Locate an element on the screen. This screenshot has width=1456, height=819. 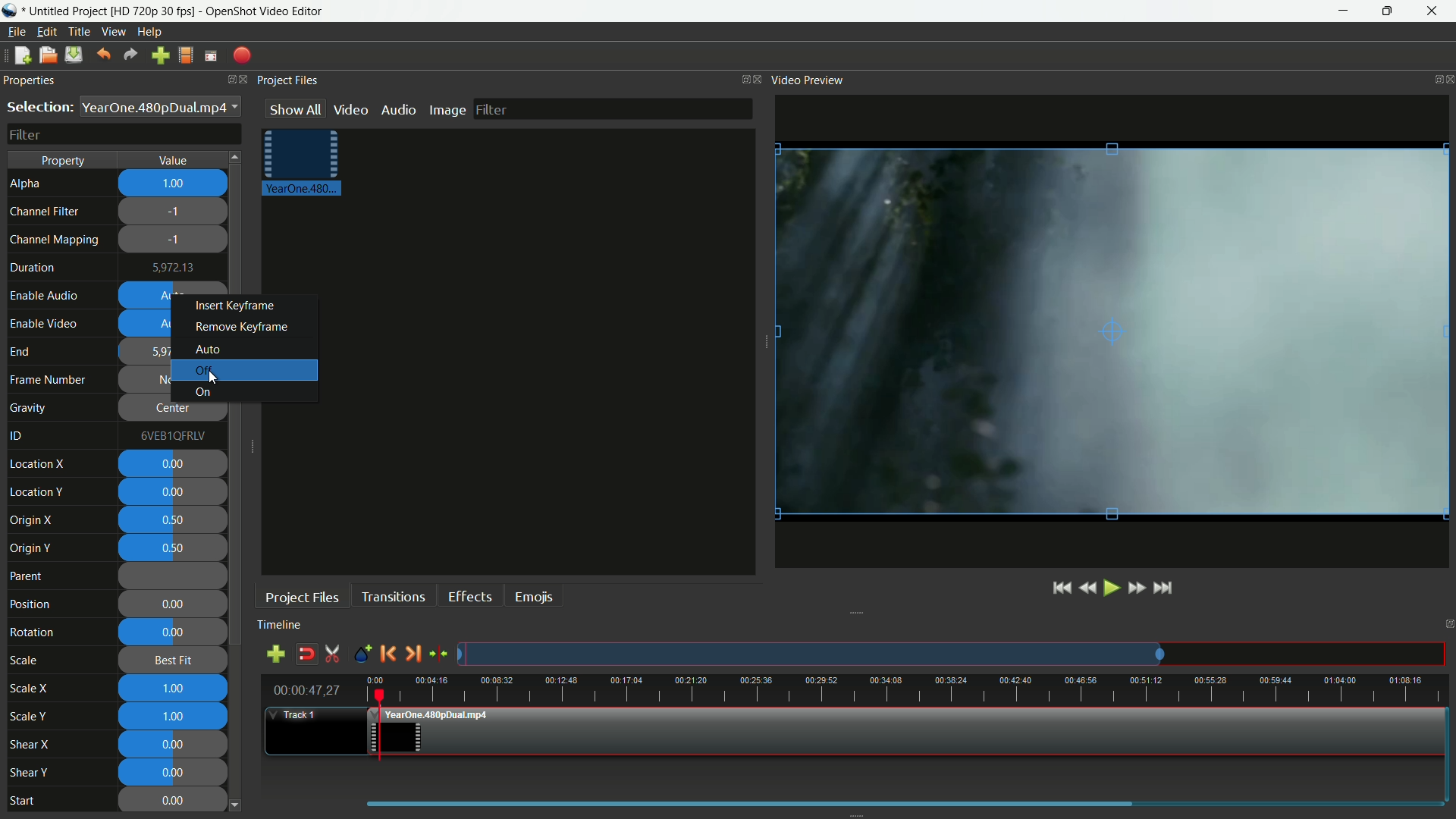
1.00 is located at coordinates (174, 689).